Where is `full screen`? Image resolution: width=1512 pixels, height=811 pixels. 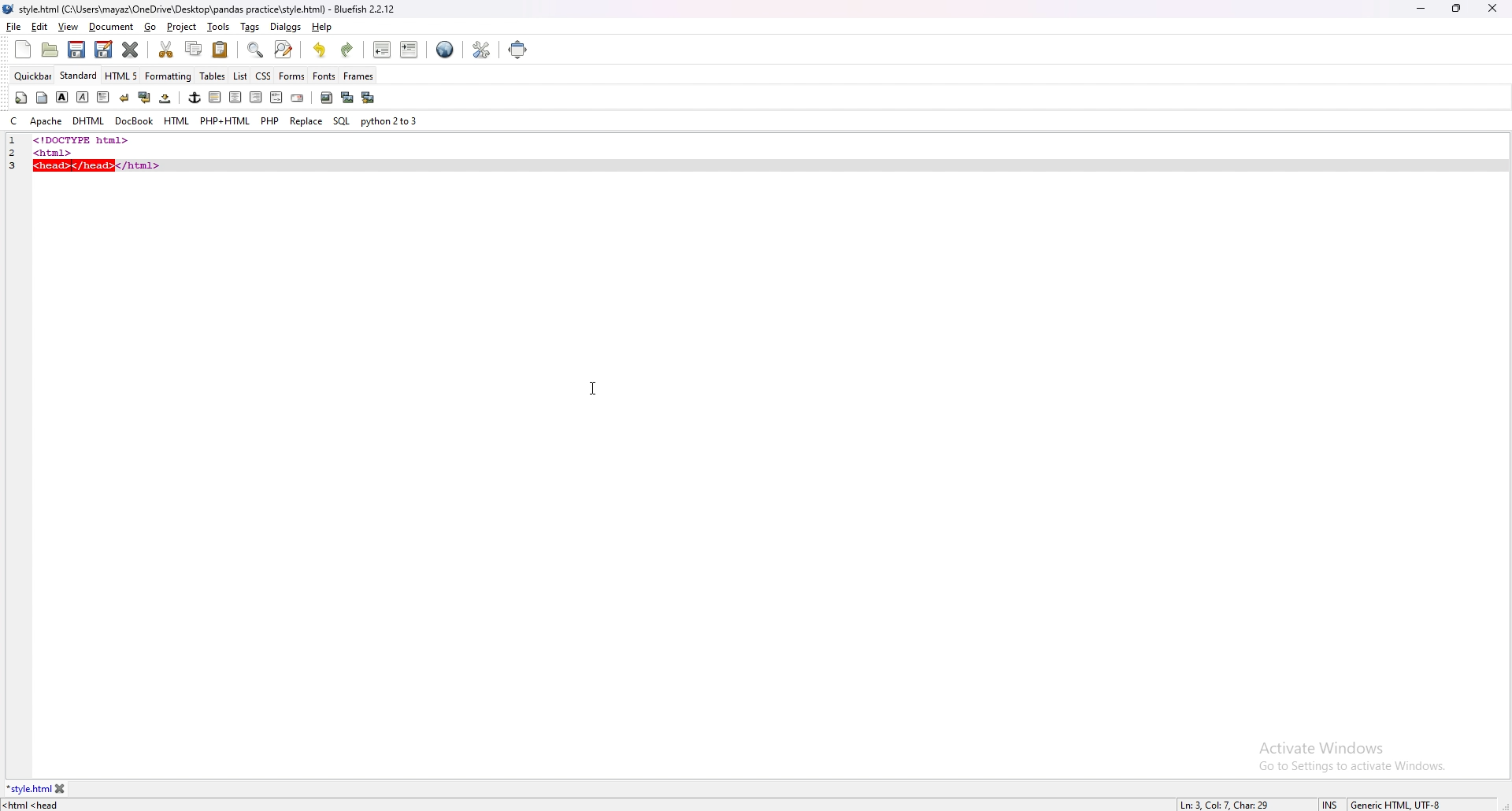
full screen is located at coordinates (520, 49).